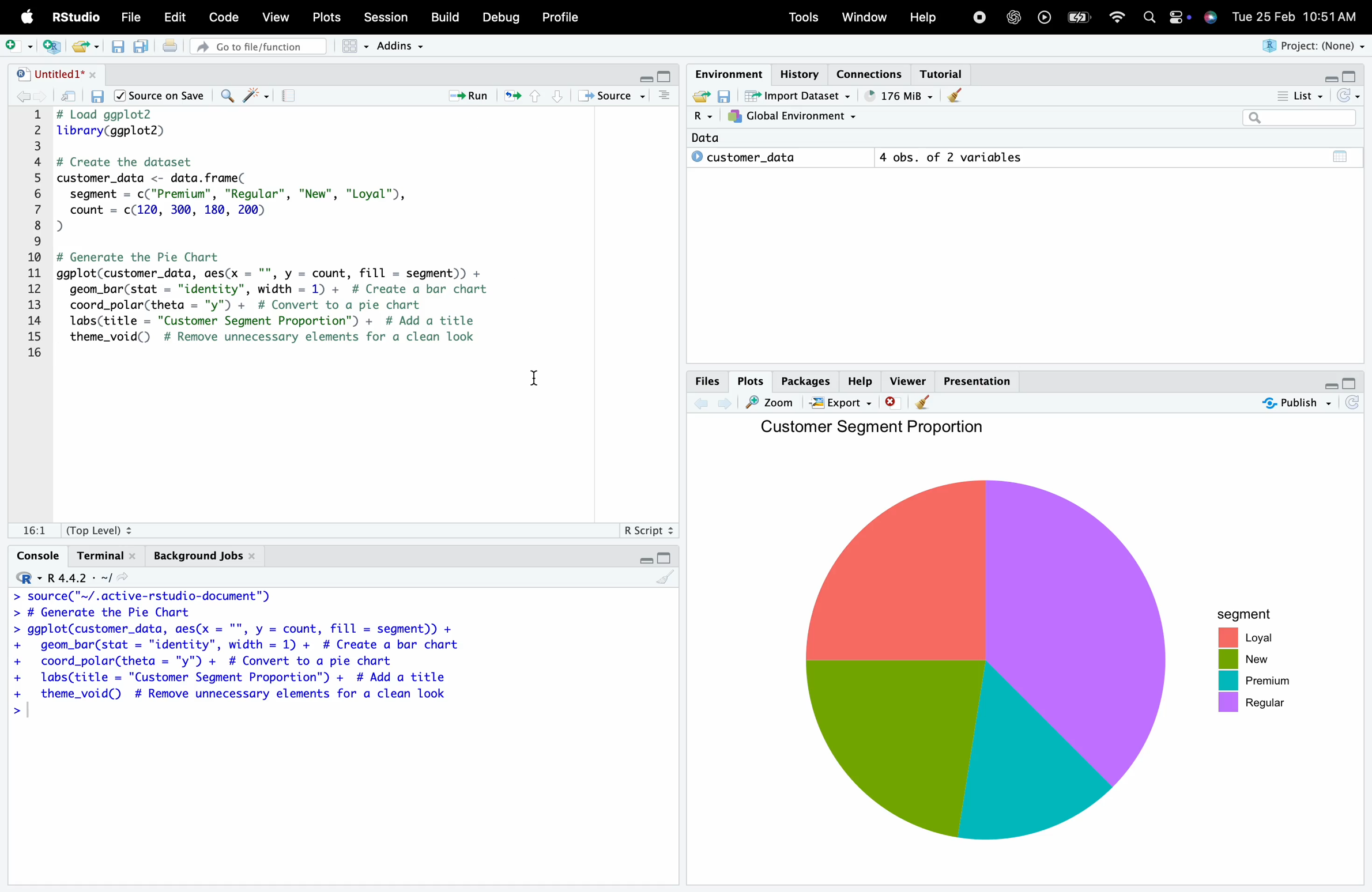  What do you see at coordinates (538, 381) in the screenshot?
I see `cursor` at bounding box center [538, 381].